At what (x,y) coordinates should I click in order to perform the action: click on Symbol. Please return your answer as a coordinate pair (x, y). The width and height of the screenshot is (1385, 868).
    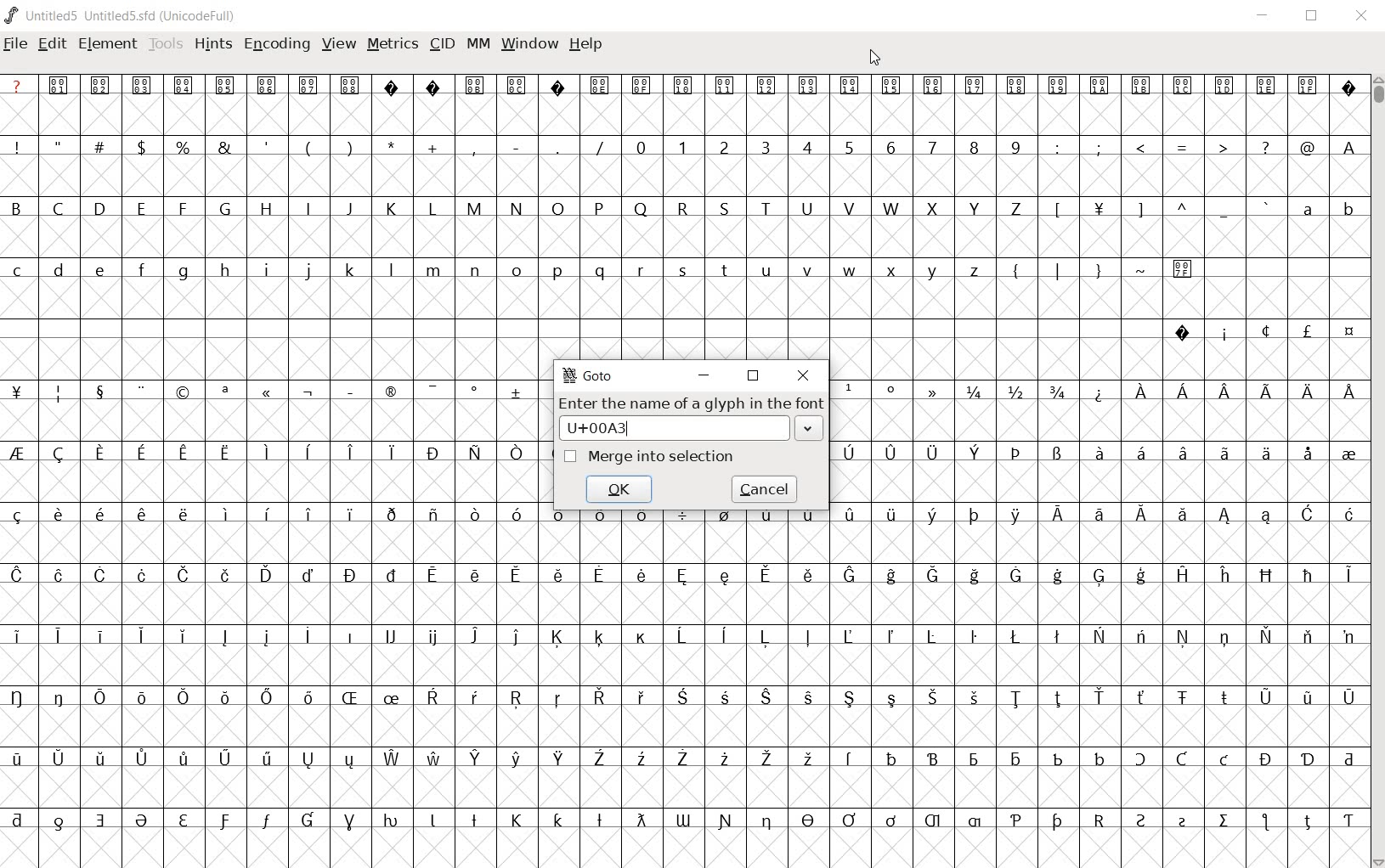
    Looking at the image, I should click on (809, 759).